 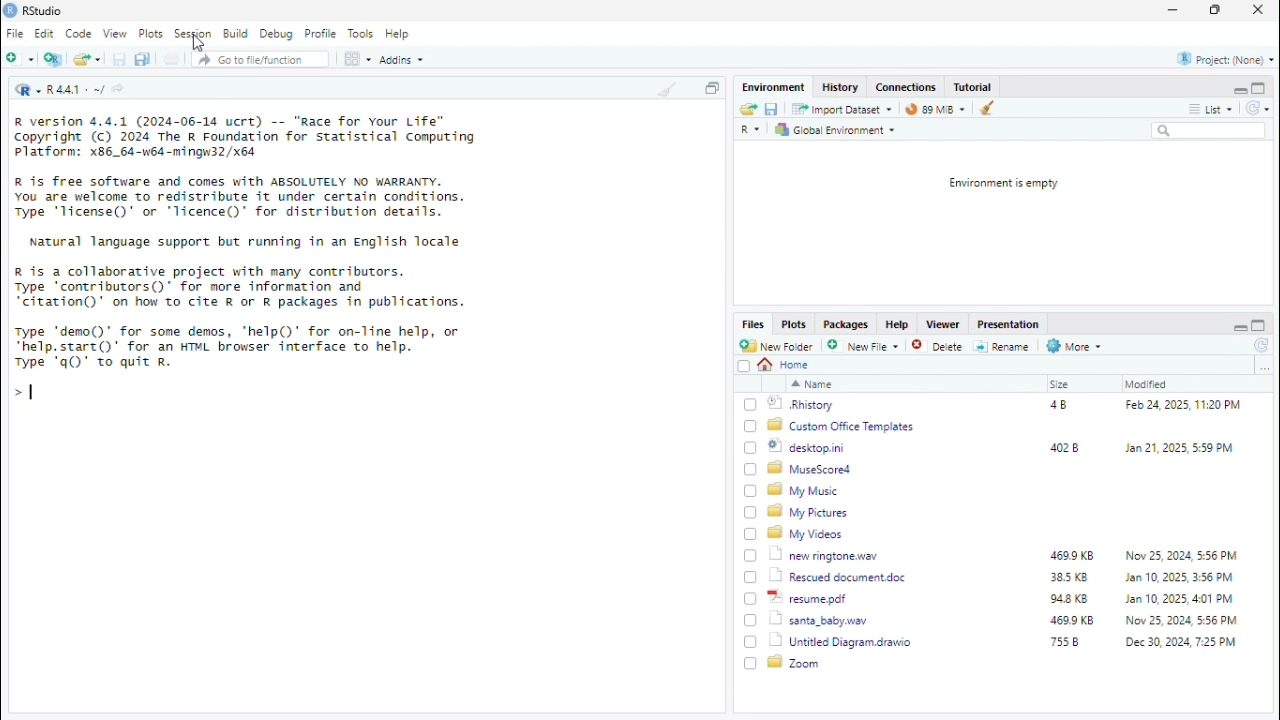 What do you see at coordinates (43, 12) in the screenshot?
I see `RStudio` at bounding box center [43, 12].